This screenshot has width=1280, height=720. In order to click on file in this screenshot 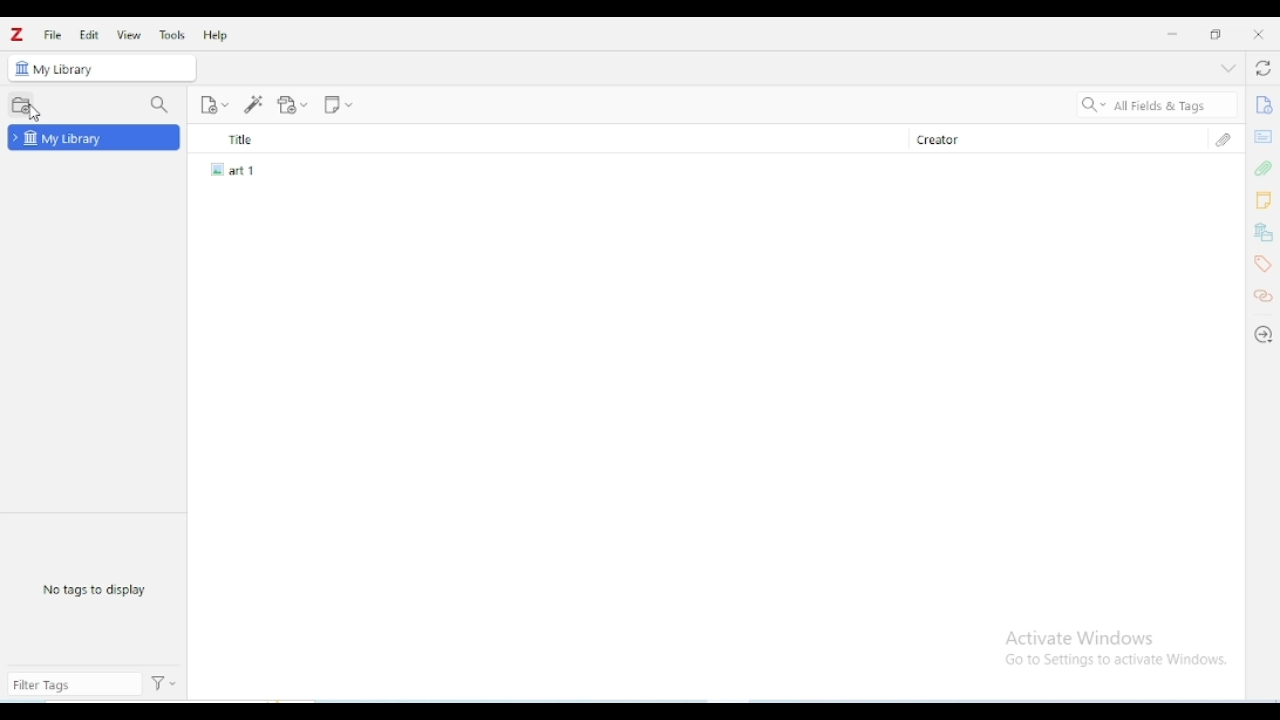, I will do `click(52, 34)`.